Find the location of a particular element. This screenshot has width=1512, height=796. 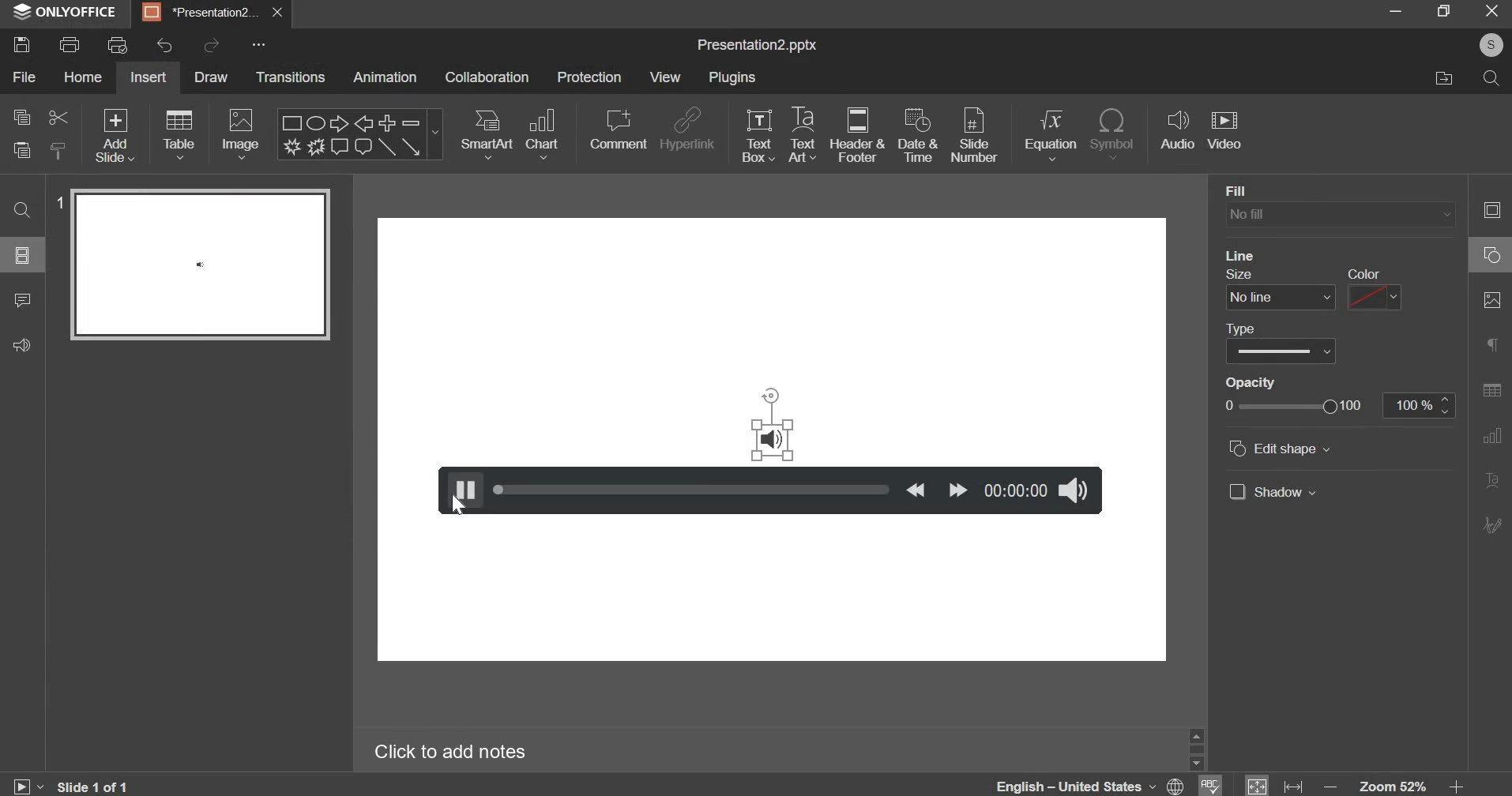

scroll down is located at coordinates (1196, 764).